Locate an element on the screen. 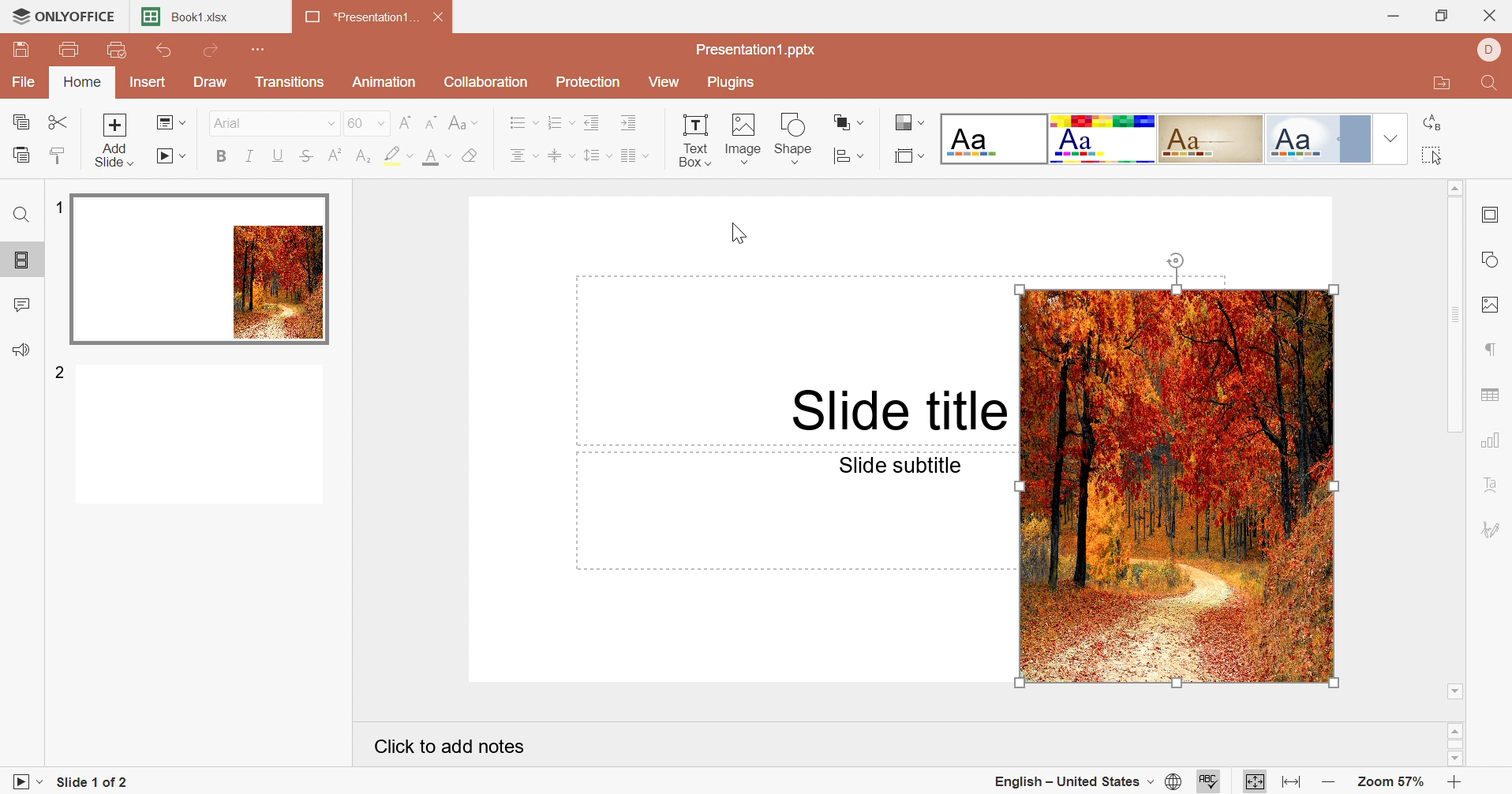 This screenshot has width=1512, height=794. Presentation1.pptx is located at coordinates (755, 51).